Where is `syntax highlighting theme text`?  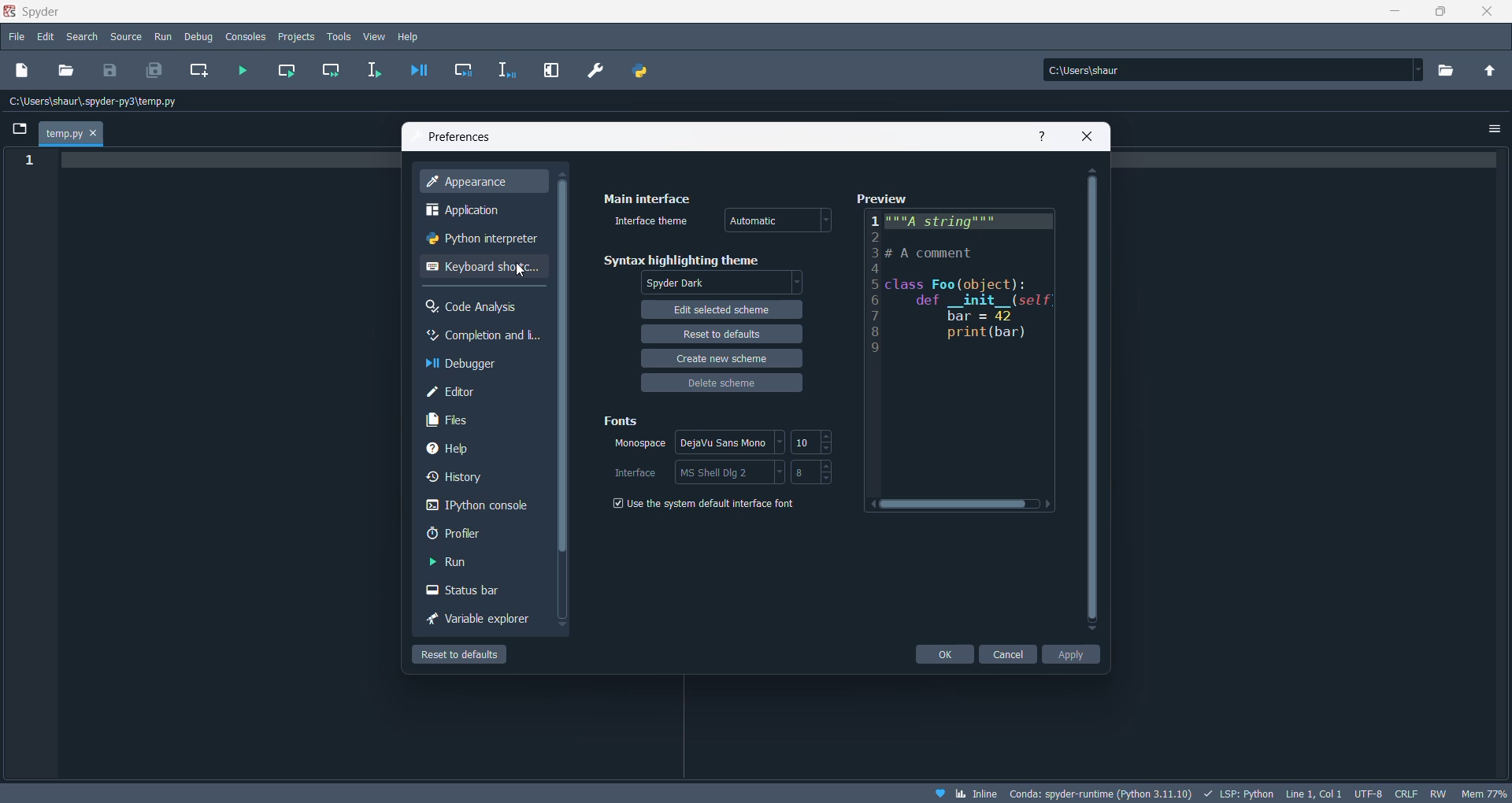
syntax highlighting theme text is located at coordinates (688, 260).